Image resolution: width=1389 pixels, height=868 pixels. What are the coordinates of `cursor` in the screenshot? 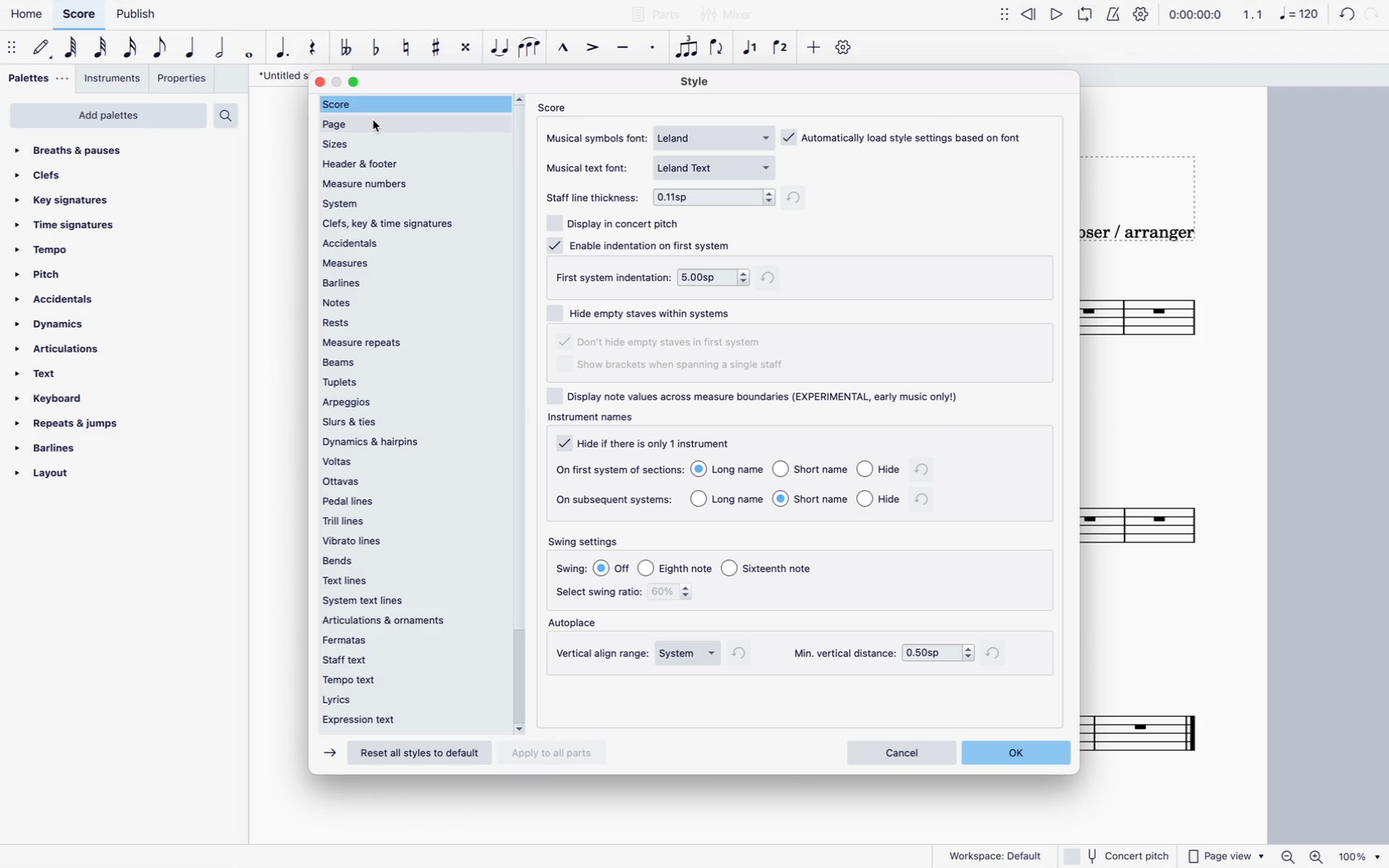 It's located at (378, 127).